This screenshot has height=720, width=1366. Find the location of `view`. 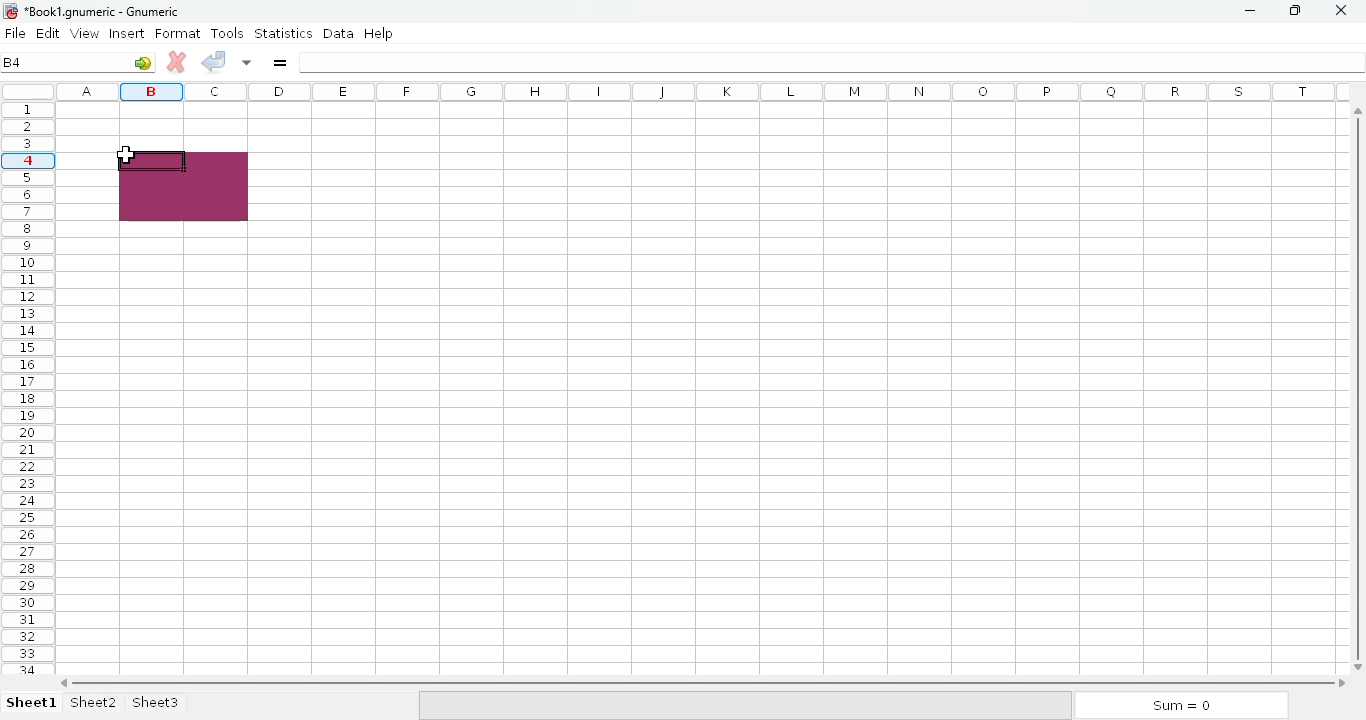

view is located at coordinates (84, 34).